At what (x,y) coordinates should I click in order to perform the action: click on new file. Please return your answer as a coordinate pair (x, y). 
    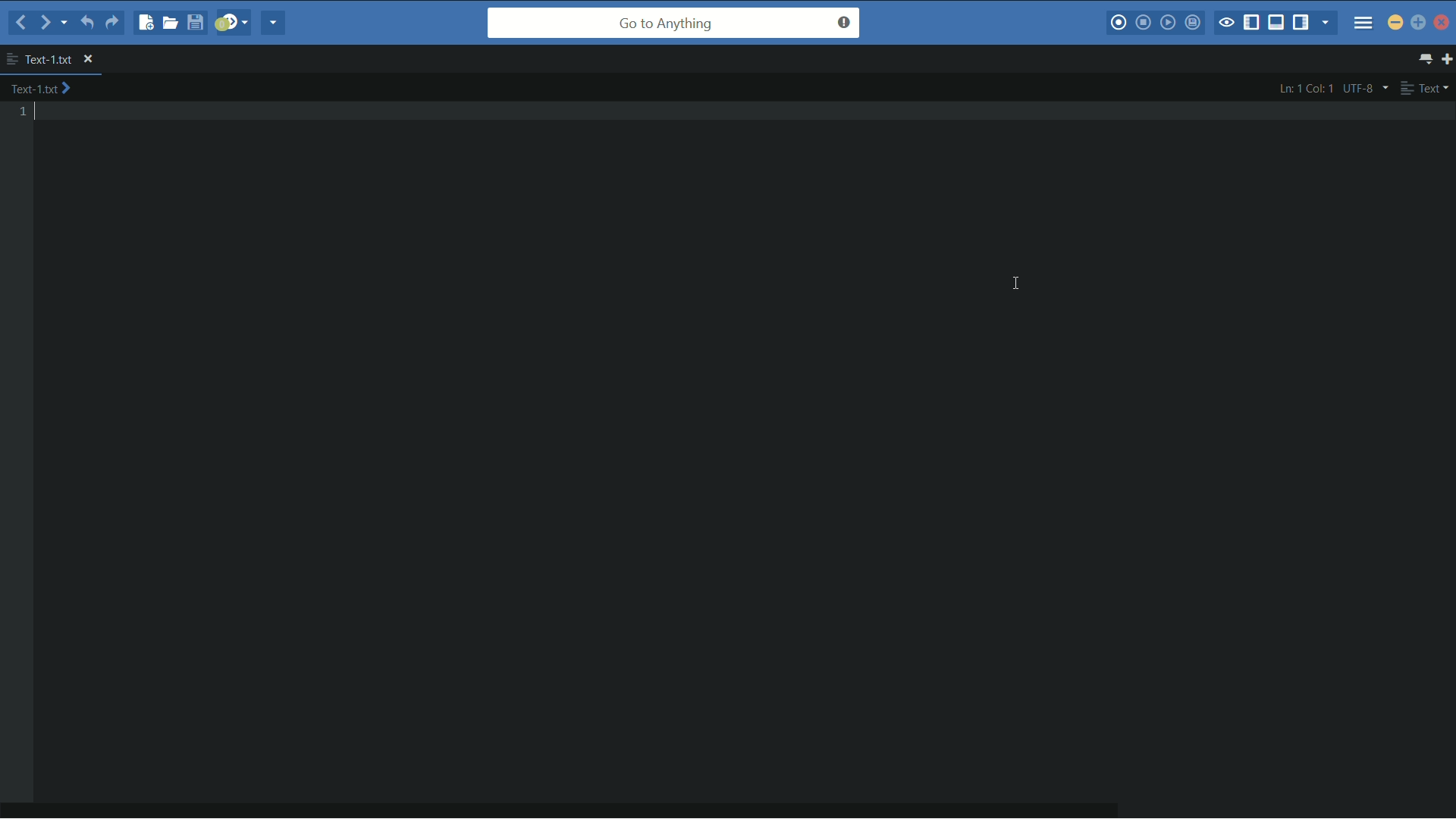
    Looking at the image, I should click on (143, 24).